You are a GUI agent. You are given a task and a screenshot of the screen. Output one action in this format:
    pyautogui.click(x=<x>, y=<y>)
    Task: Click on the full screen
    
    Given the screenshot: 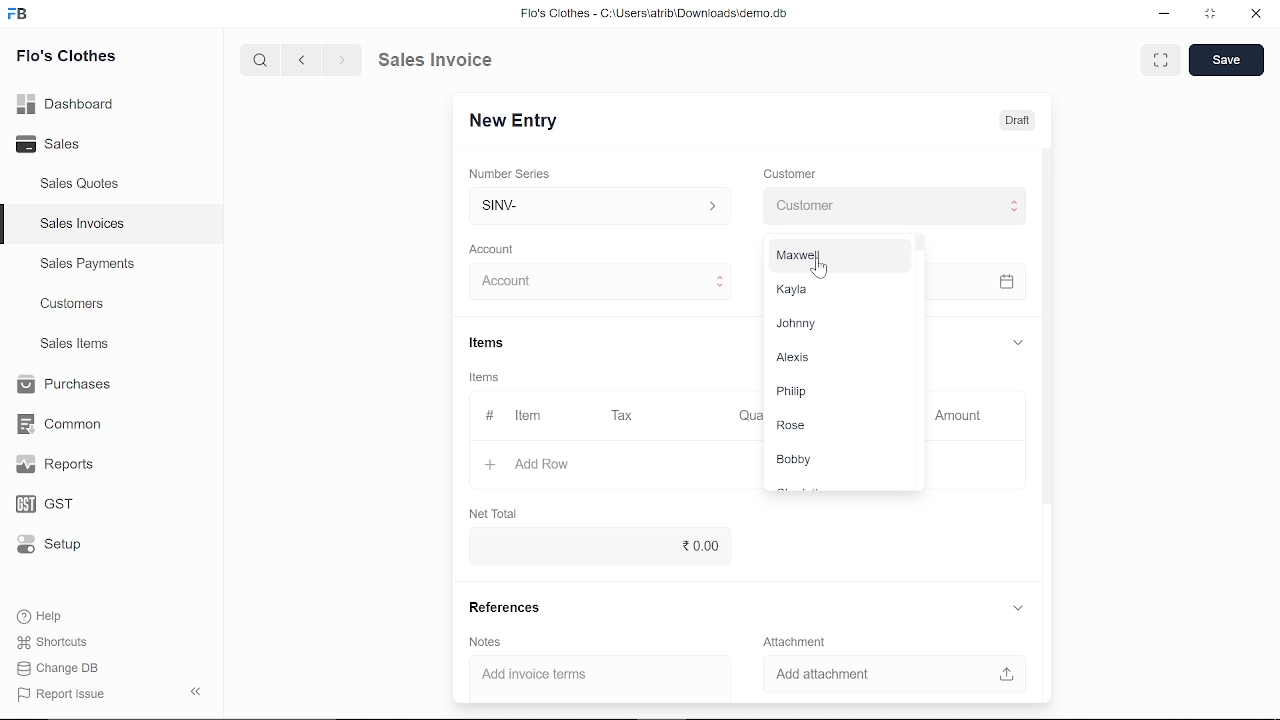 What is the action you would take?
    pyautogui.click(x=1160, y=60)
    